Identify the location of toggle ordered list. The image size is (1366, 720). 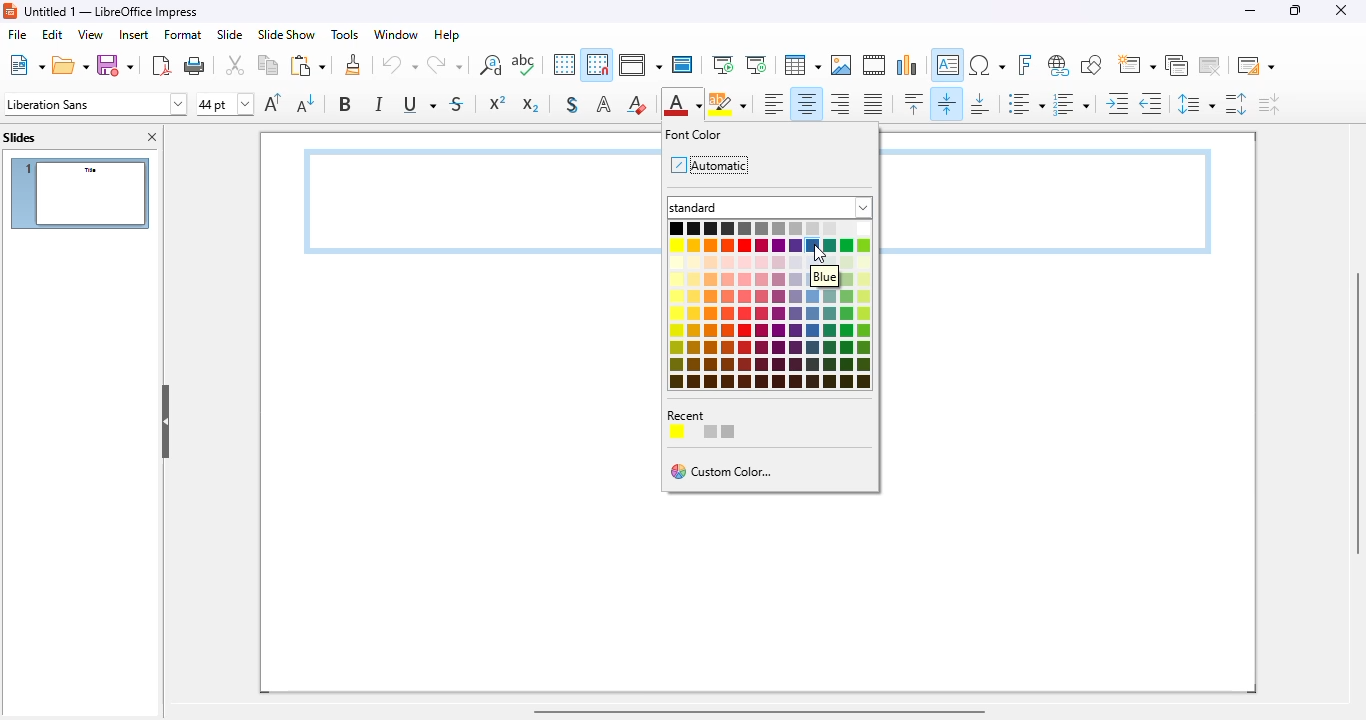
(1071, 104).